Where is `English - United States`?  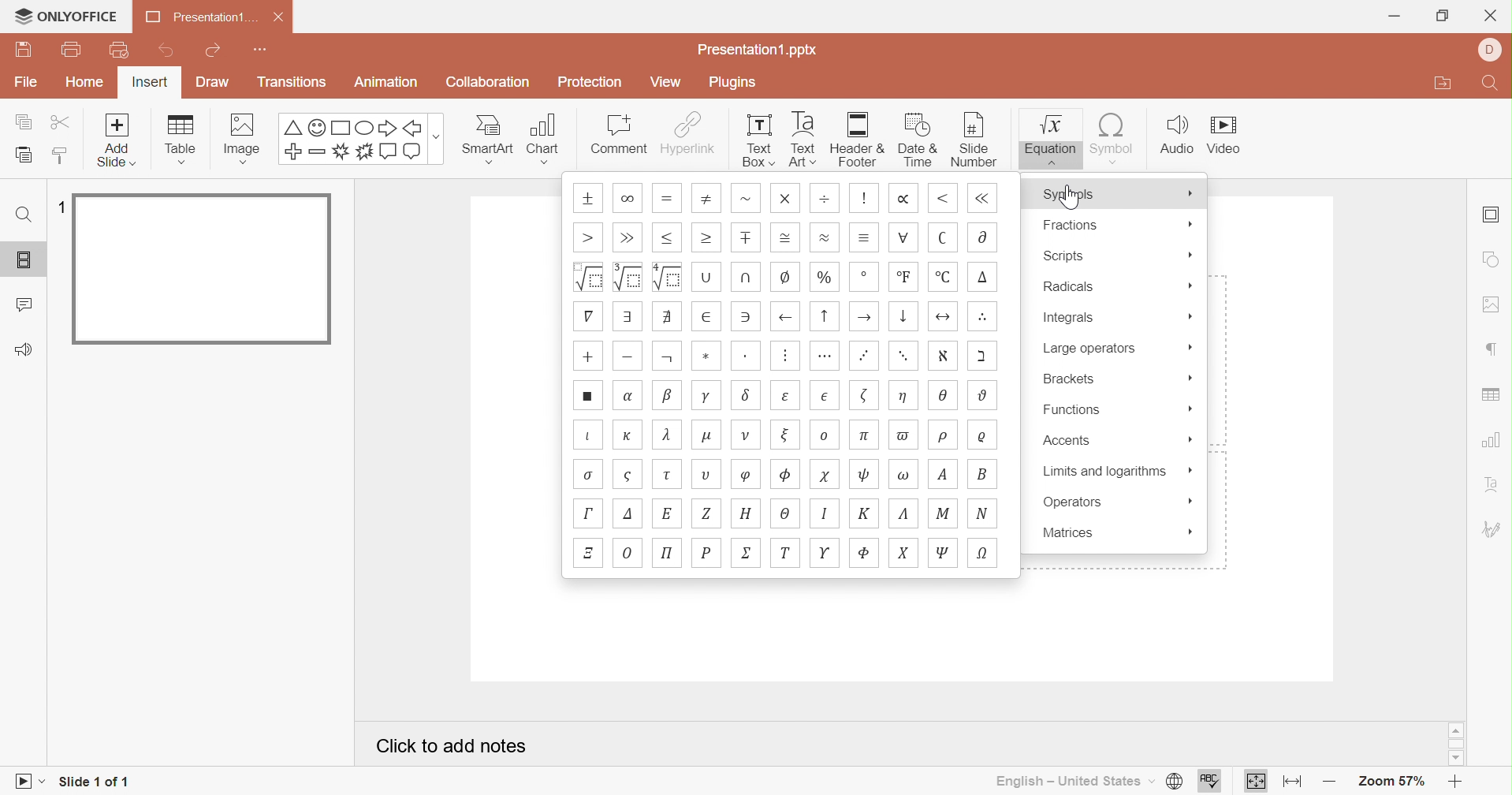 English - United States is located at coordinates (1067, 780).